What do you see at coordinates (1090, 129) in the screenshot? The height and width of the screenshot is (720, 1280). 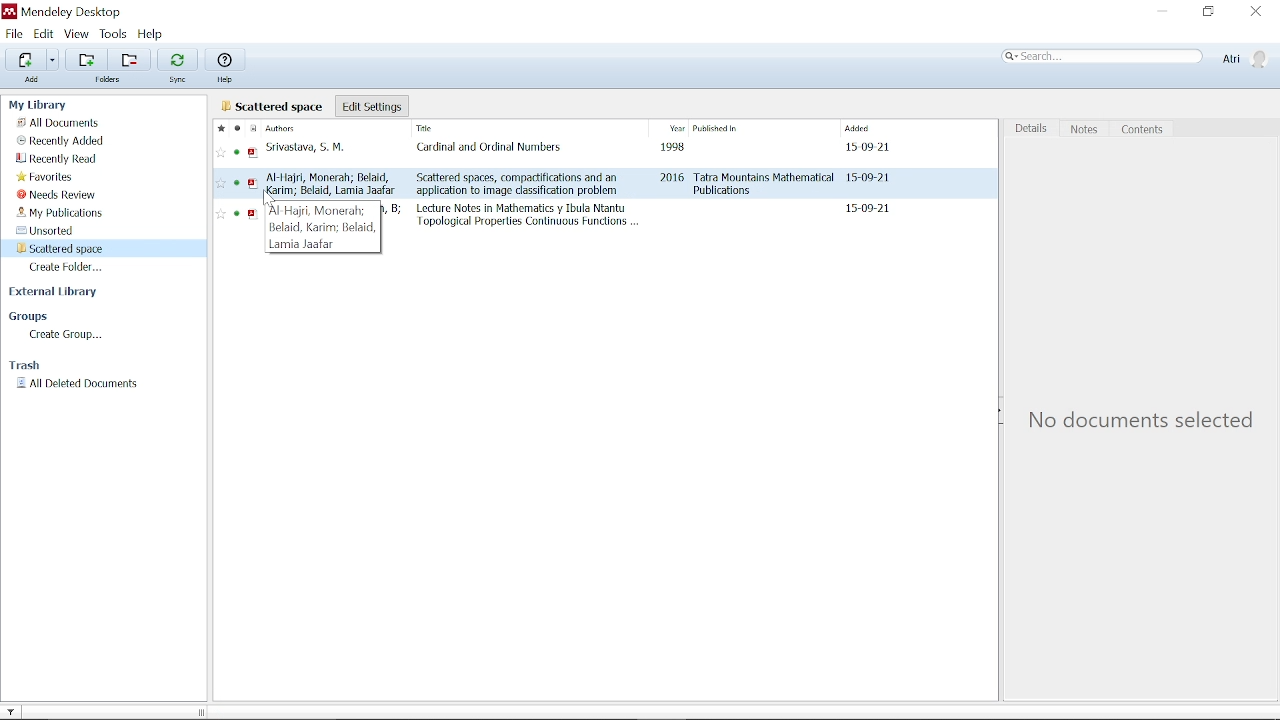 I see `Notes` at bounding box center [1090, 129].